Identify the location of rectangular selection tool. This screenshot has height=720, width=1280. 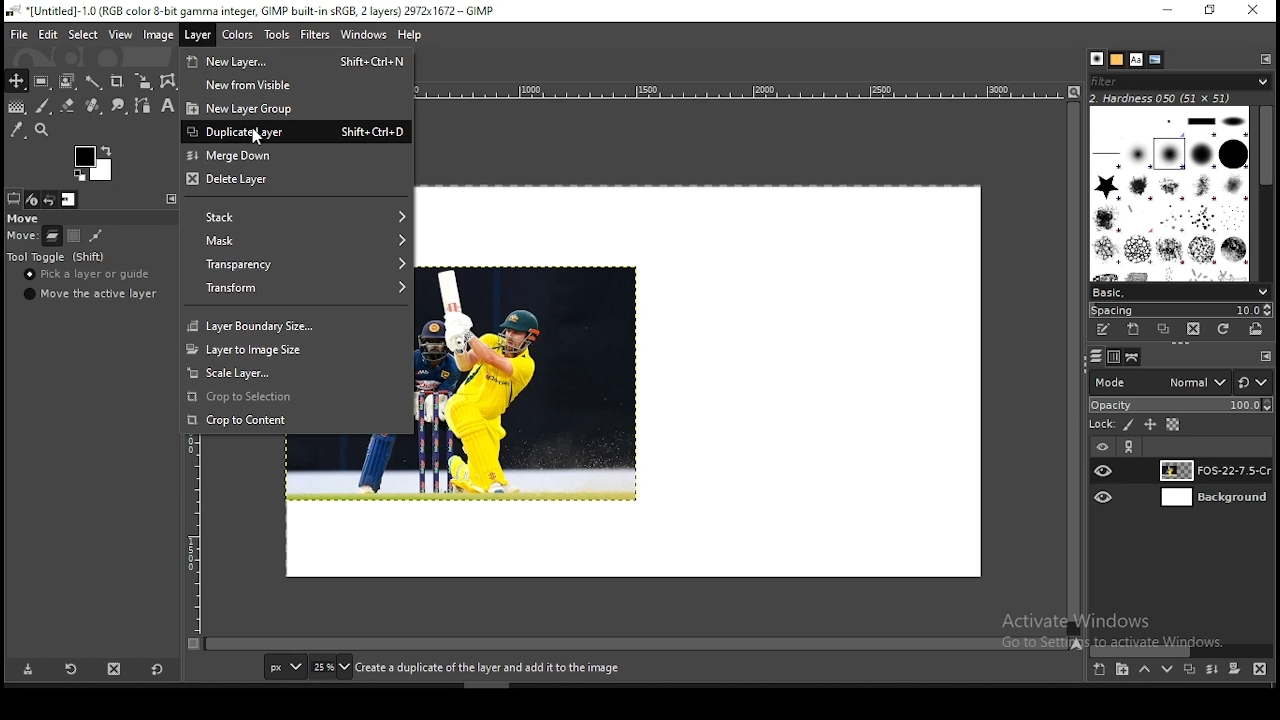
(40, 81).